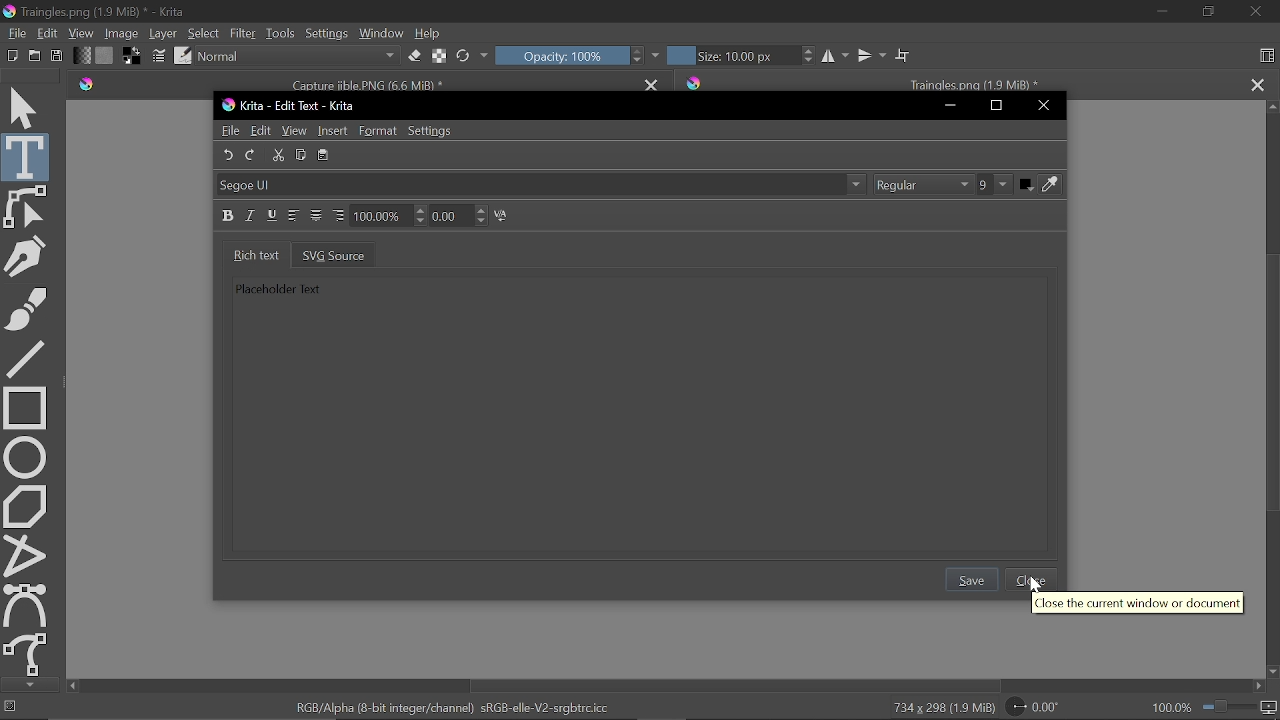 The image size is (1280, 720). I want to click on Caligraphy, so click(28, 255).